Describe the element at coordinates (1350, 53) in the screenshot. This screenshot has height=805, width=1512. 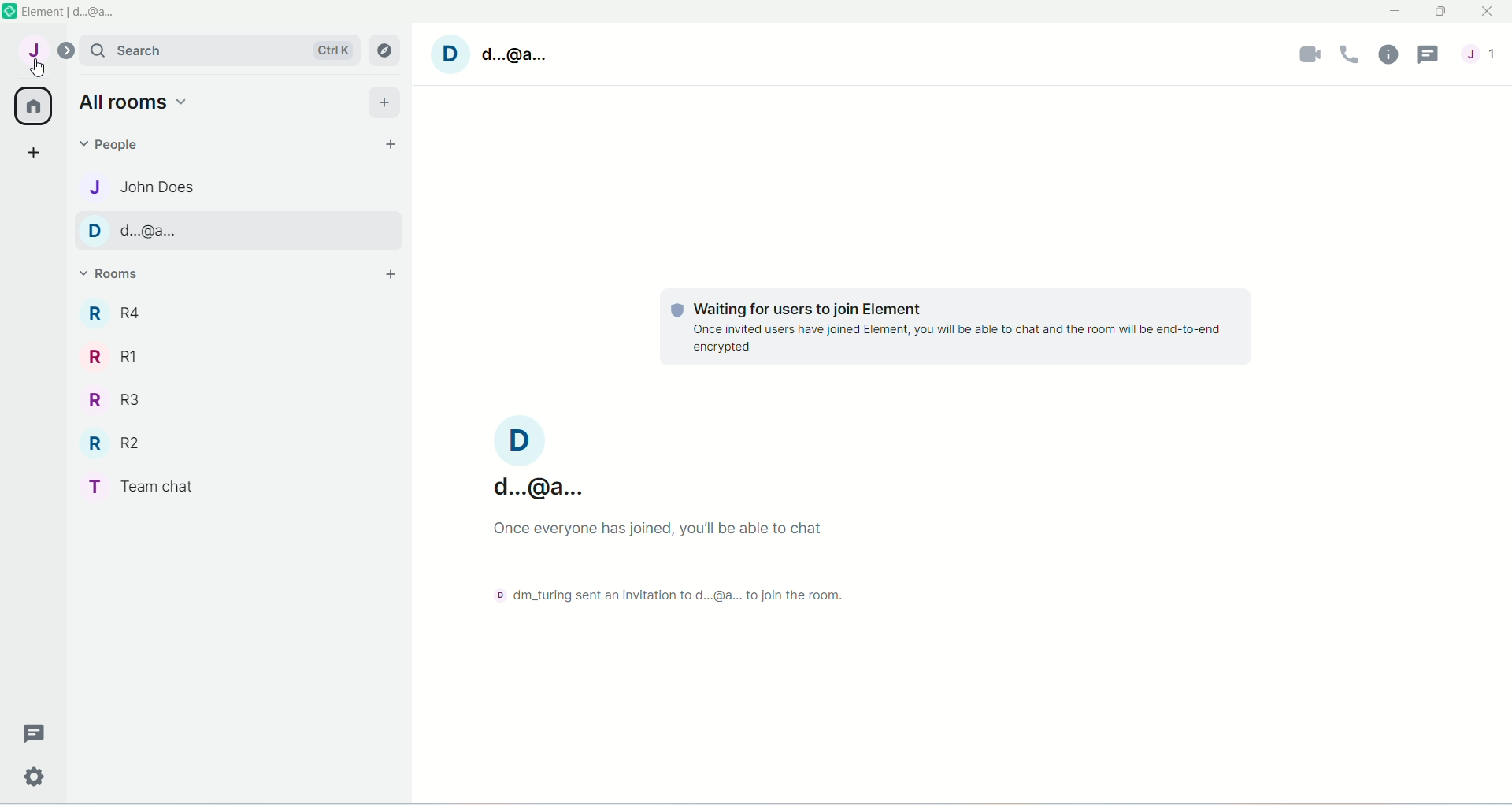
I see `Voice call` at that location.